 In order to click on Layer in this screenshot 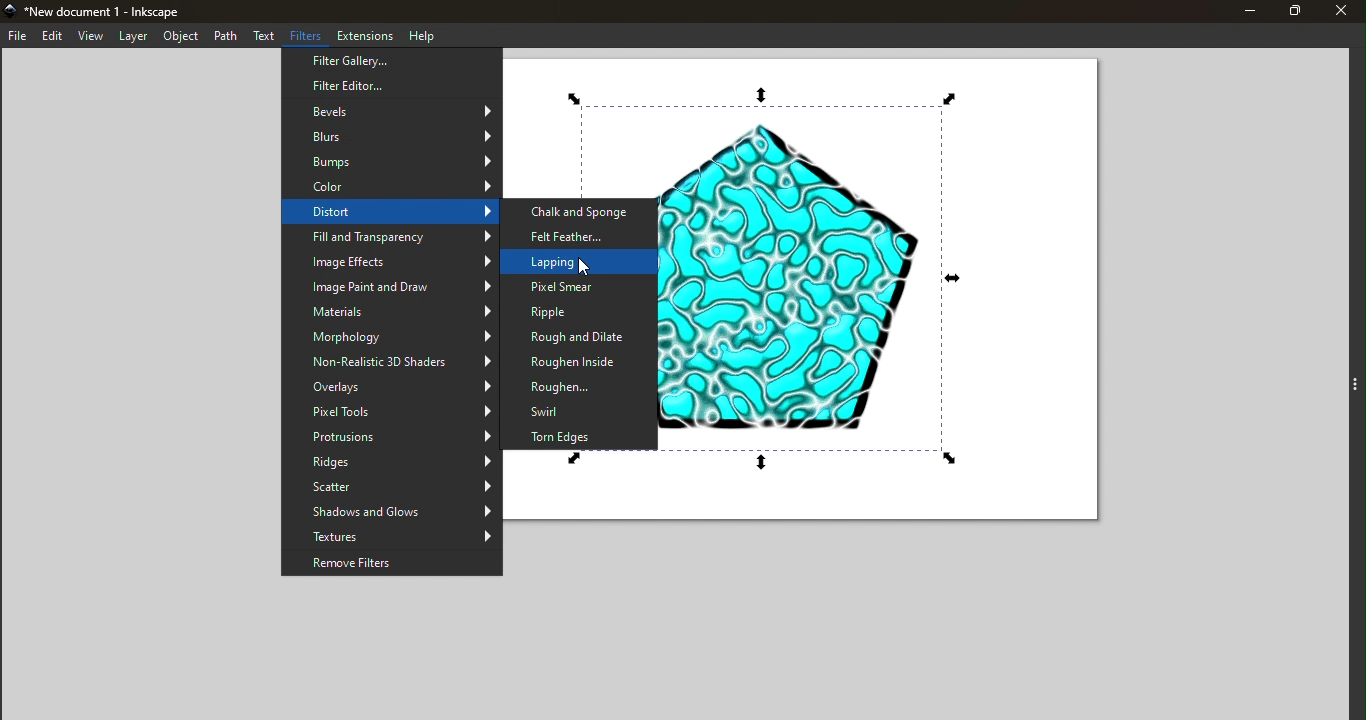, I will do `click(133, 37)`.